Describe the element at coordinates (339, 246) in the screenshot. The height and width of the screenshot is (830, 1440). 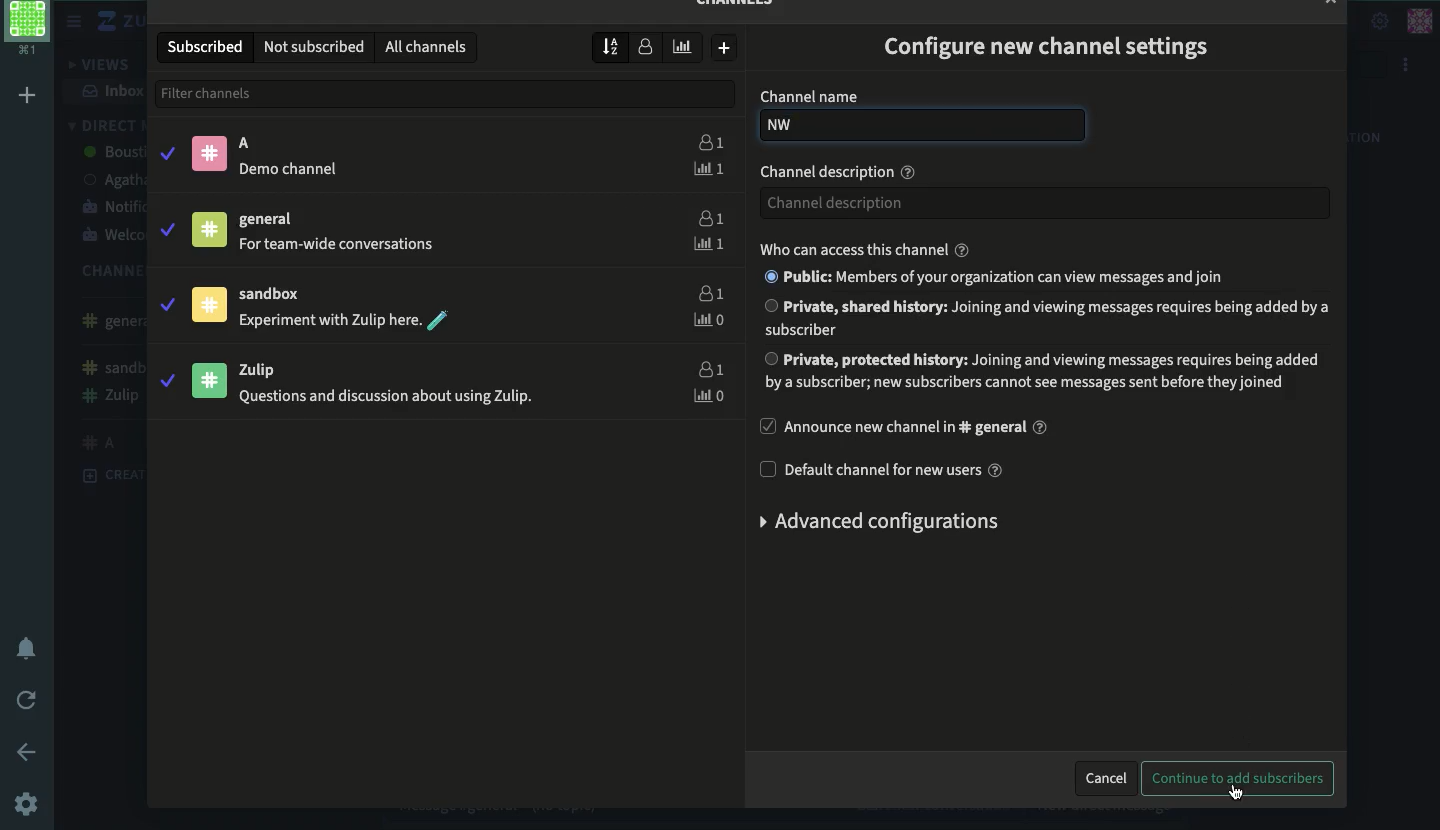
I see `For team-wide conversations` at that location.